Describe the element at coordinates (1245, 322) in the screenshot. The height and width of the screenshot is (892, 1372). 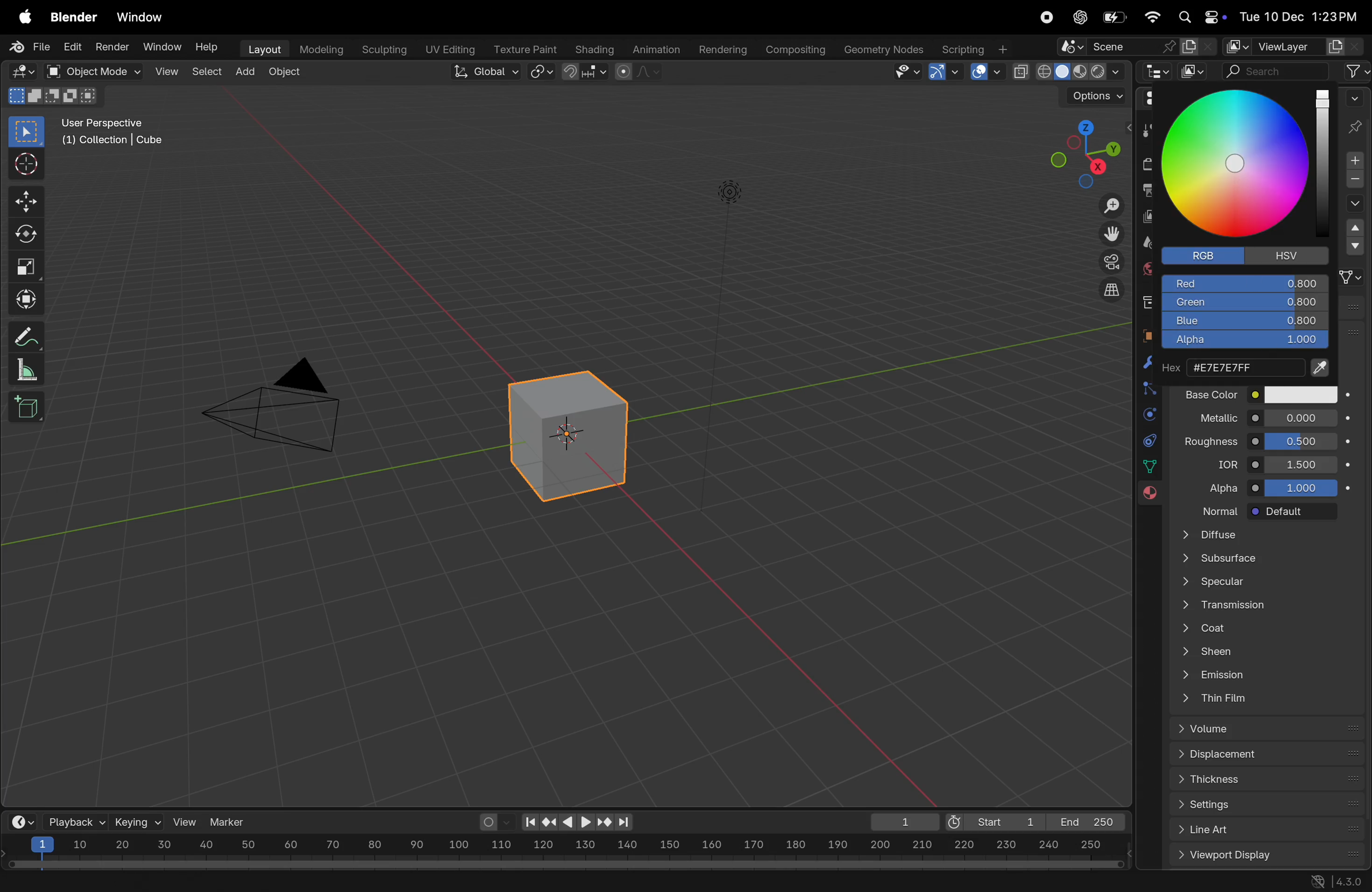
I see `blue` at that location.